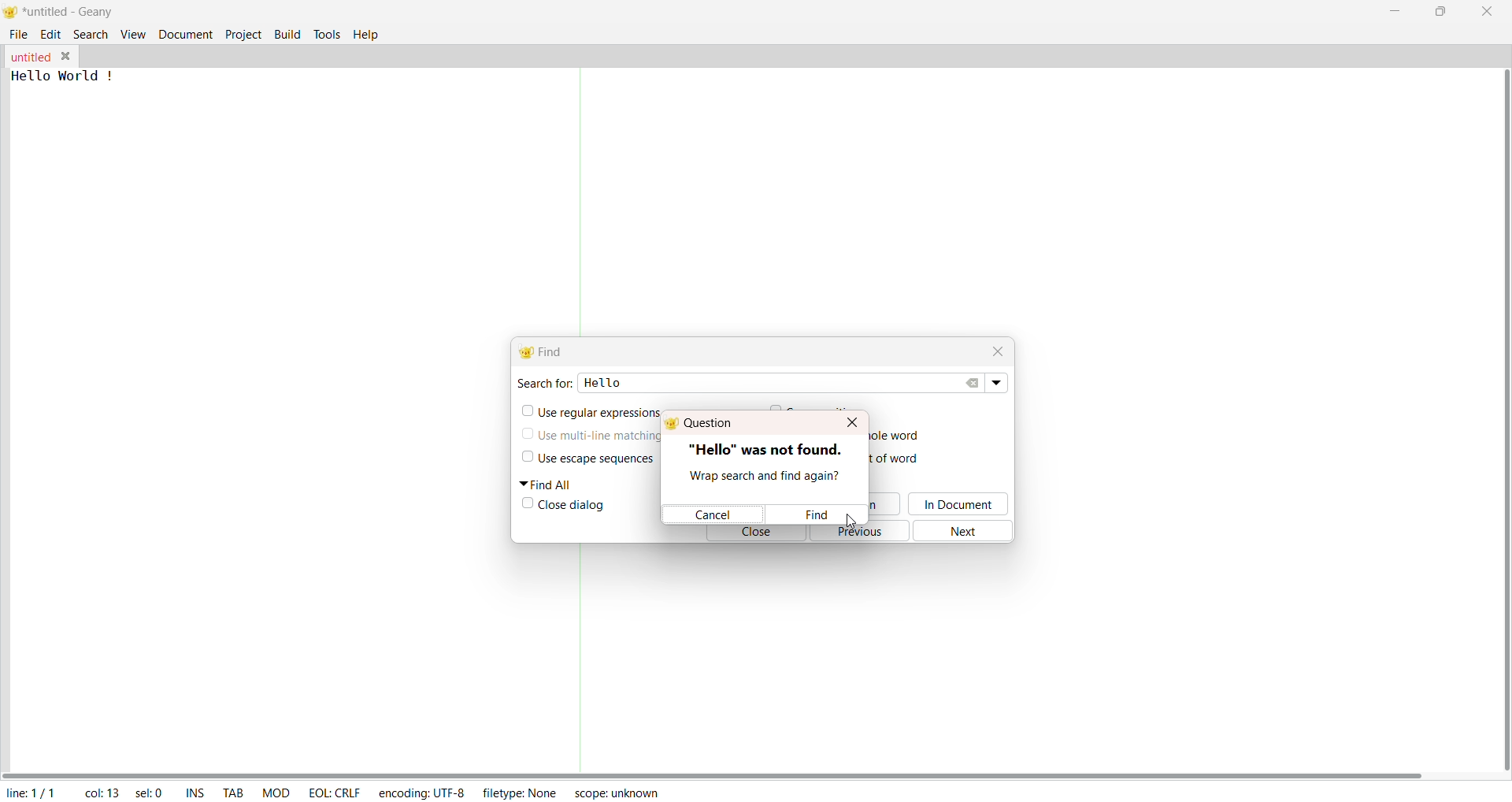  I want to click on Cursor, so click(850, 517).